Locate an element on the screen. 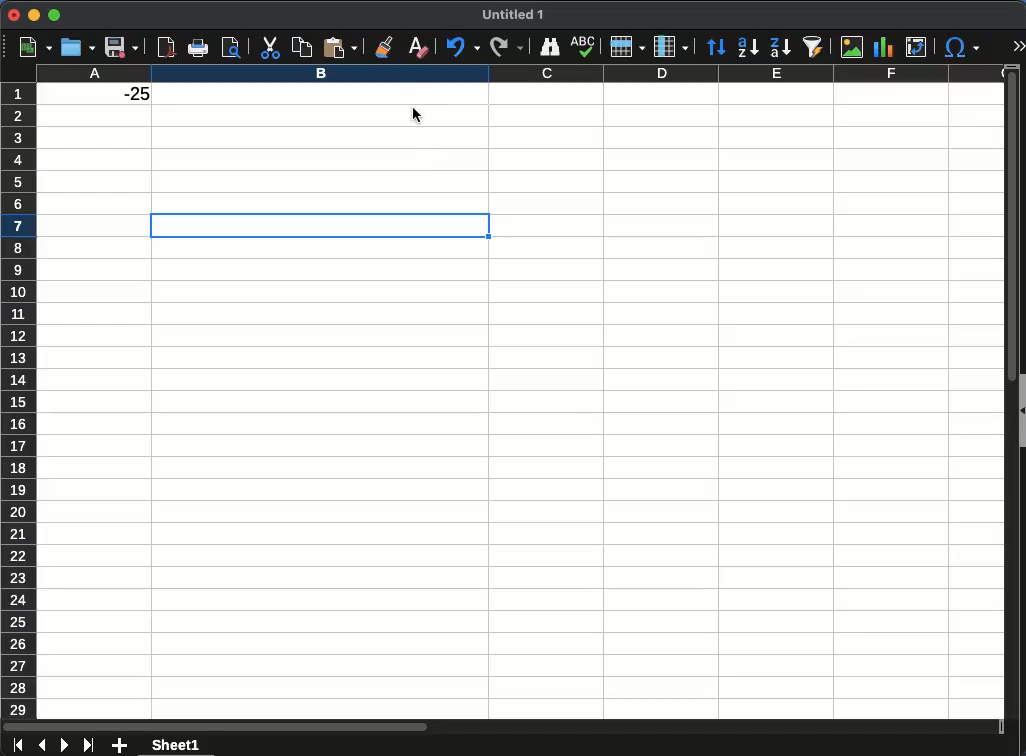  paste is located at coordinates (300, 47).